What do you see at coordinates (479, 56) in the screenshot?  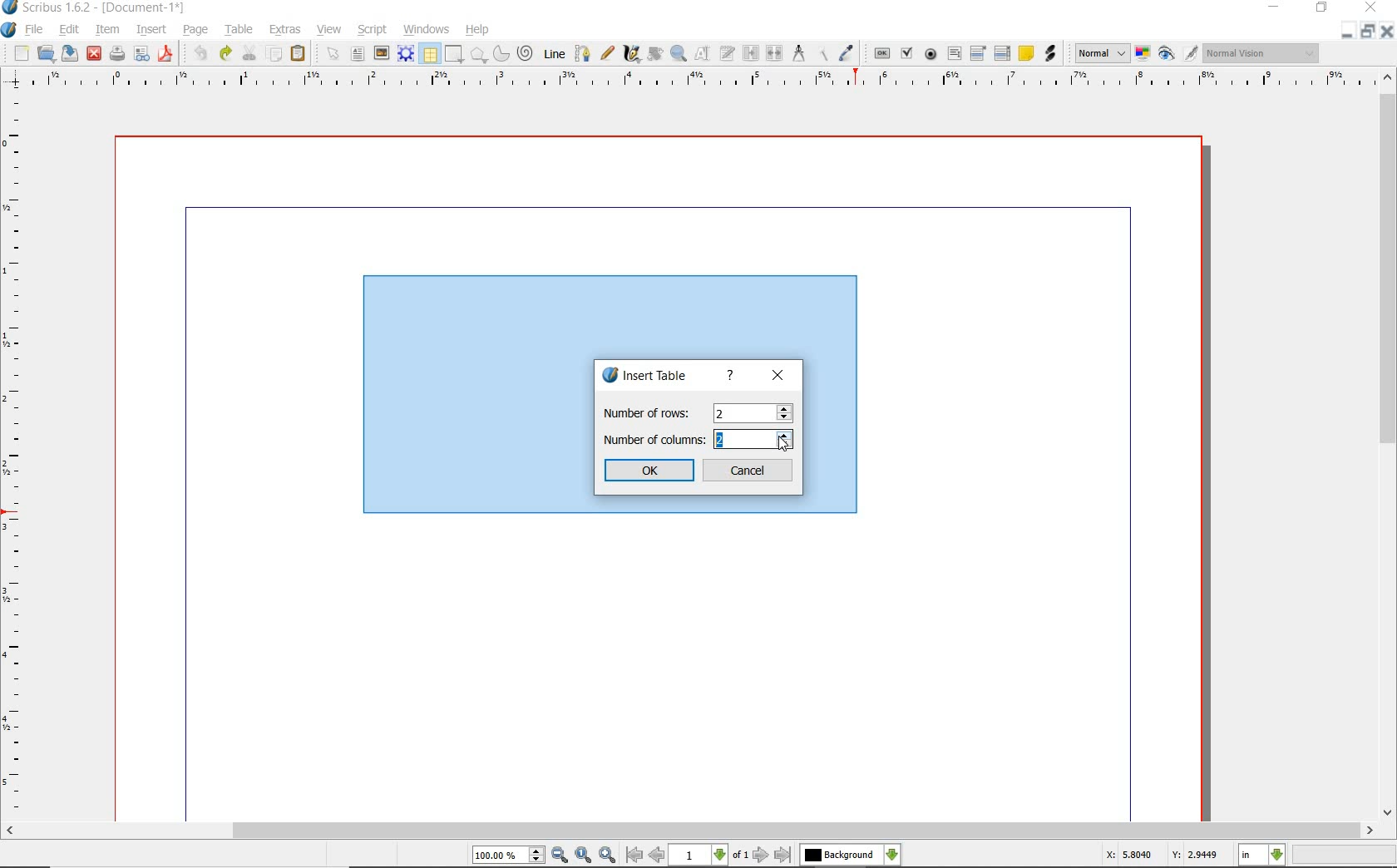 I see `shape` at bounding box center [479, 56].